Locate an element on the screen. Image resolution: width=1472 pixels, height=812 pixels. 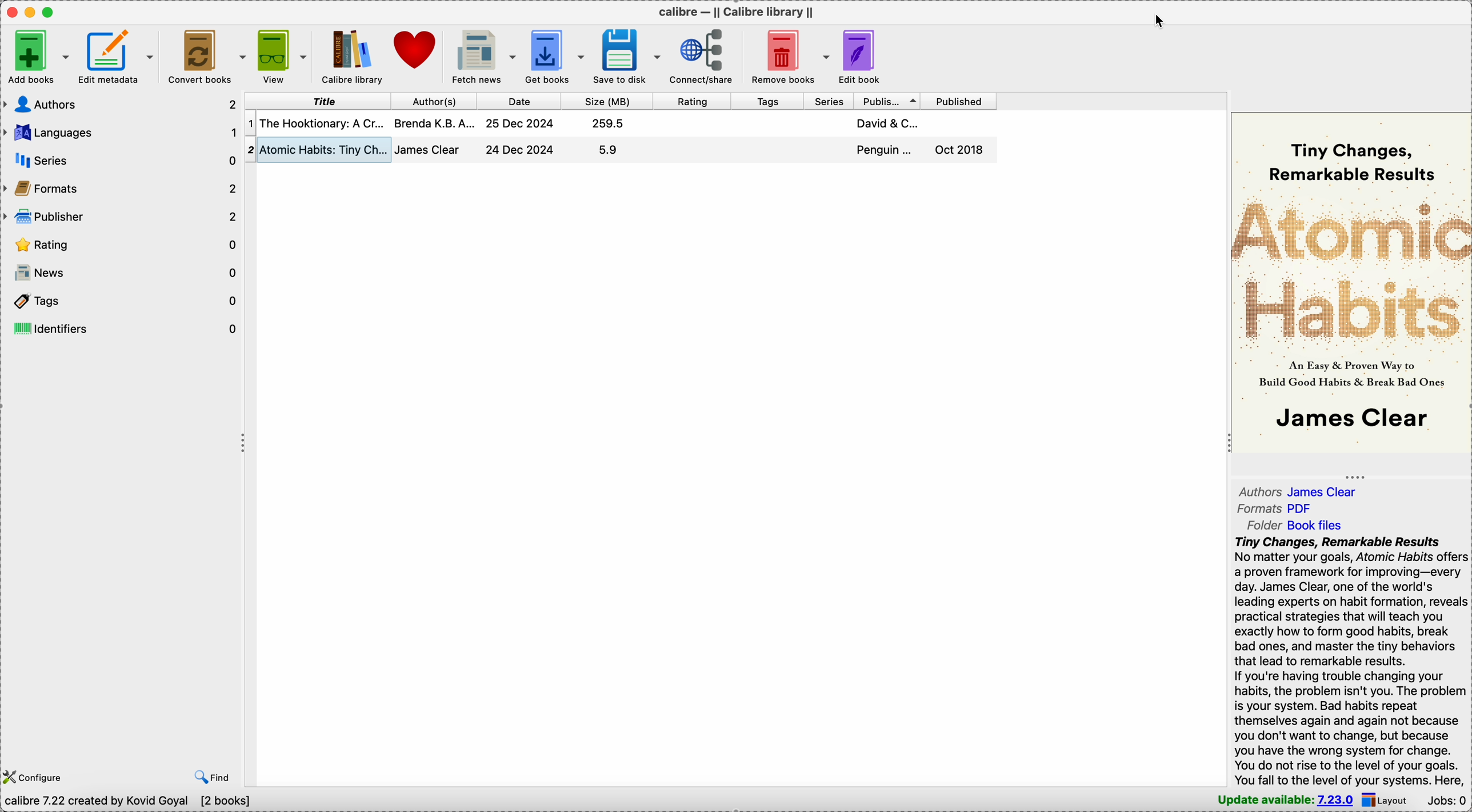
calibre 7.22 created by Kovid Goyal [2 books] is located at coordinates (129, 802).